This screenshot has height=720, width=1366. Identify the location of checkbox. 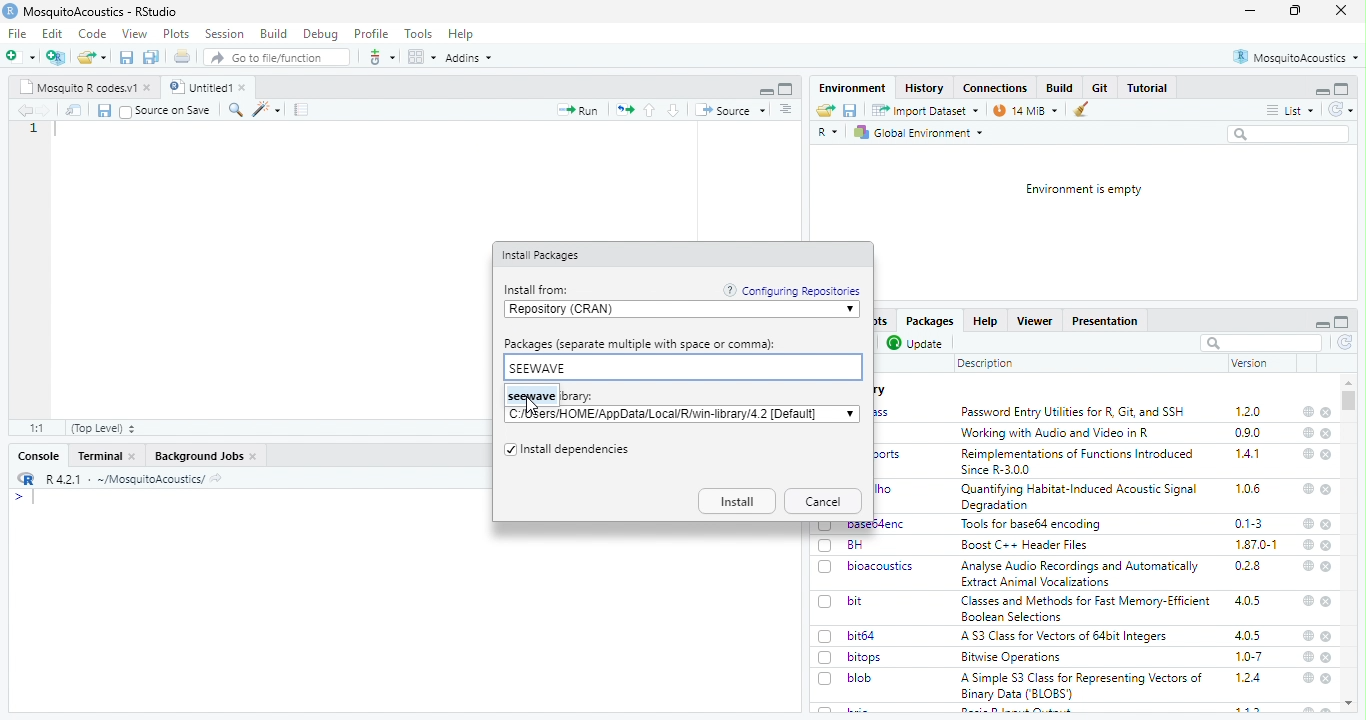
(826, 658).